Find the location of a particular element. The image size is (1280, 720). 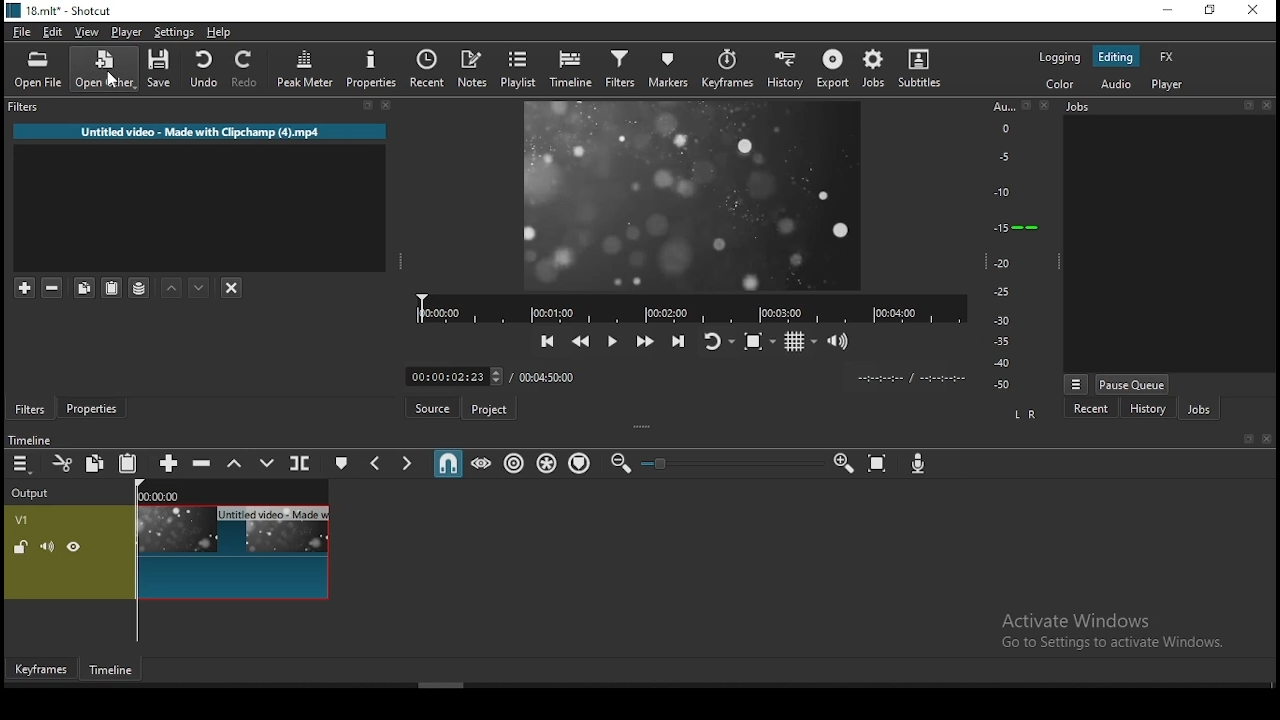

ripple is located at coordinates (511, 463).